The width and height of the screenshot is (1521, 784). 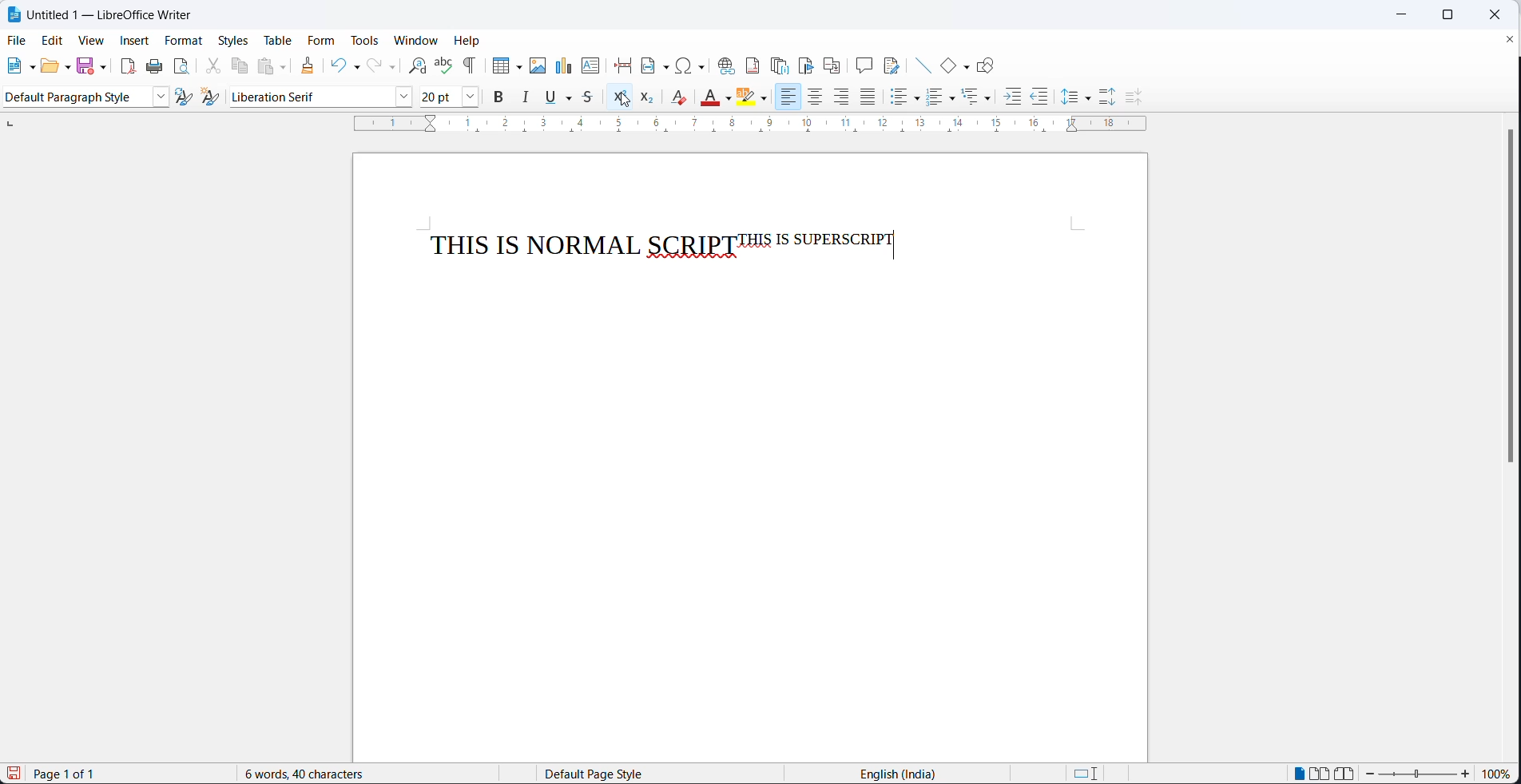 What do you see at coordinates (901, 774) in the screenshot?
I see `text language` at bounding box center [901, 774].